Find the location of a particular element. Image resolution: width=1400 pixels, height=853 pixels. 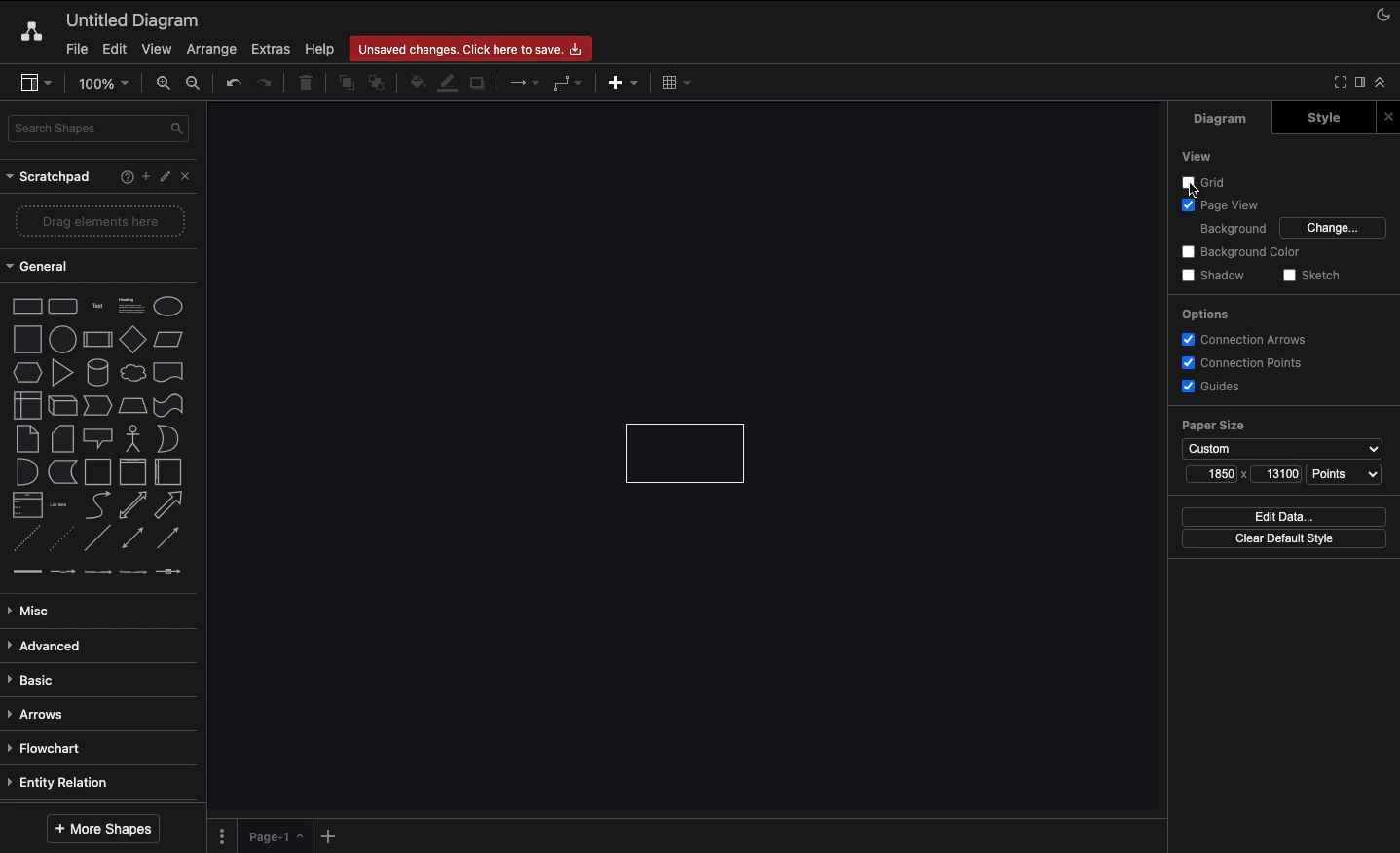

Change is located at coordinates (1335, 229).